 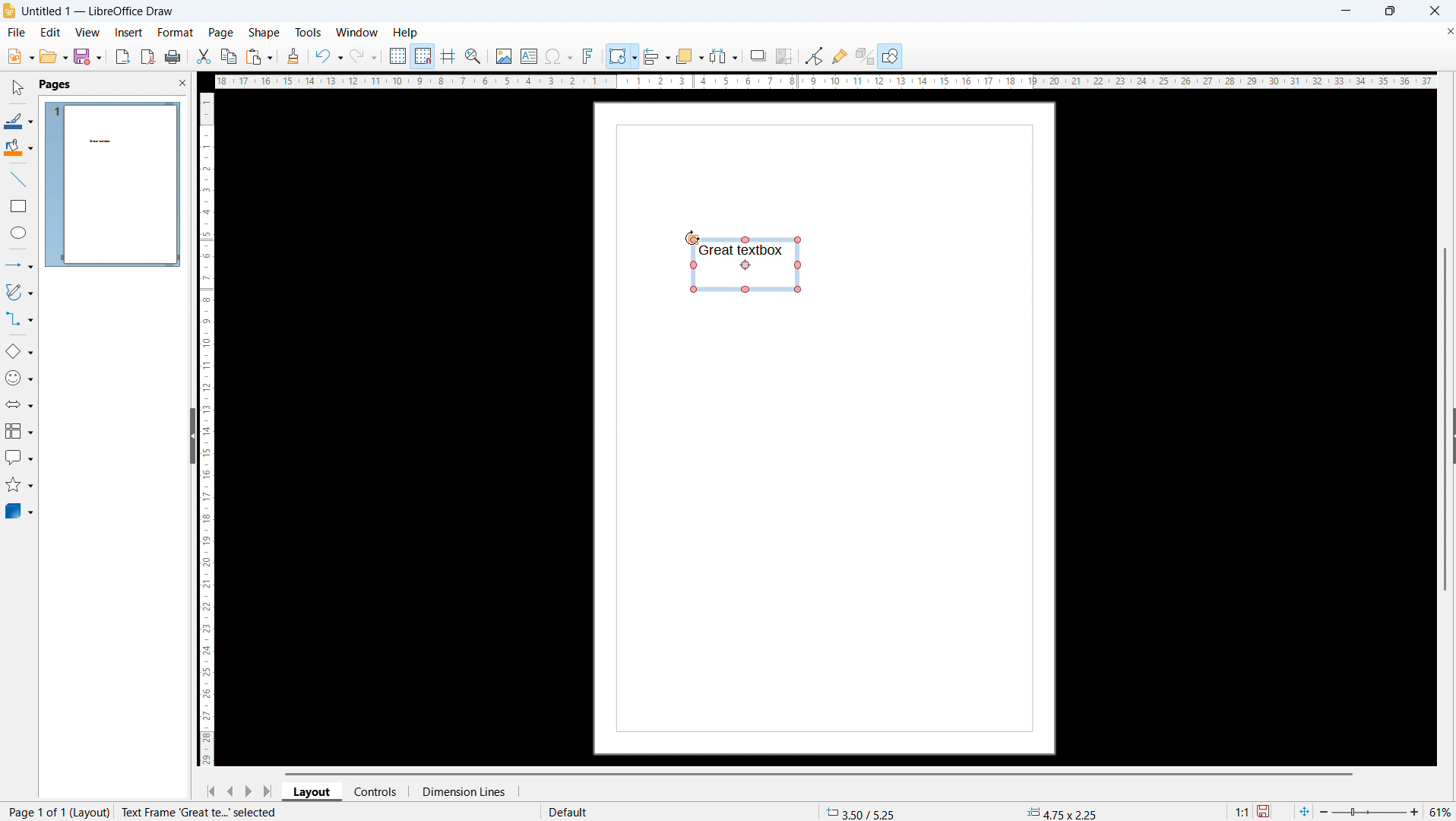 I want to click on basic shapes, so click(x=19, y=352).